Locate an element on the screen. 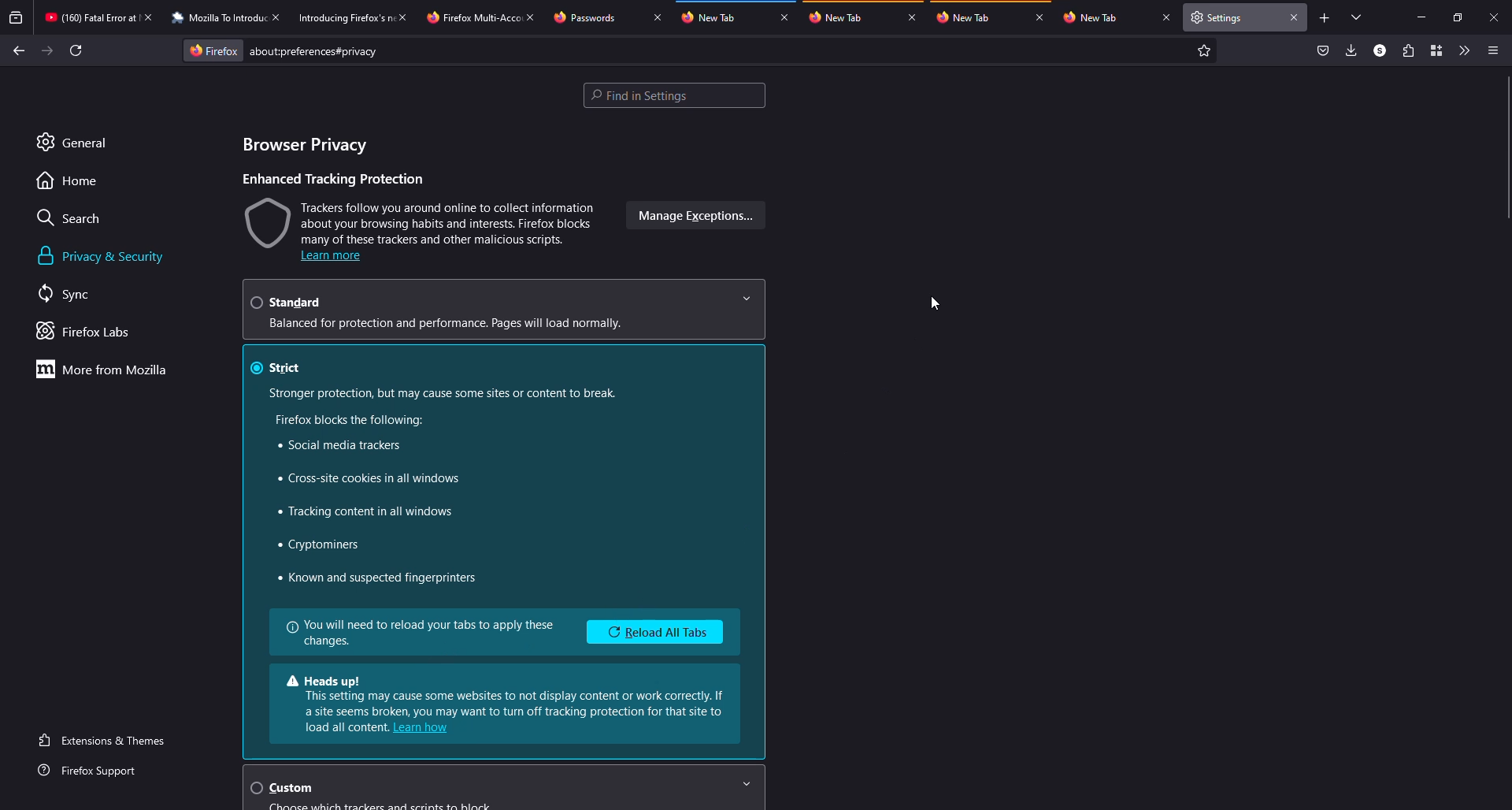  close is located at coordinates (912, 18).